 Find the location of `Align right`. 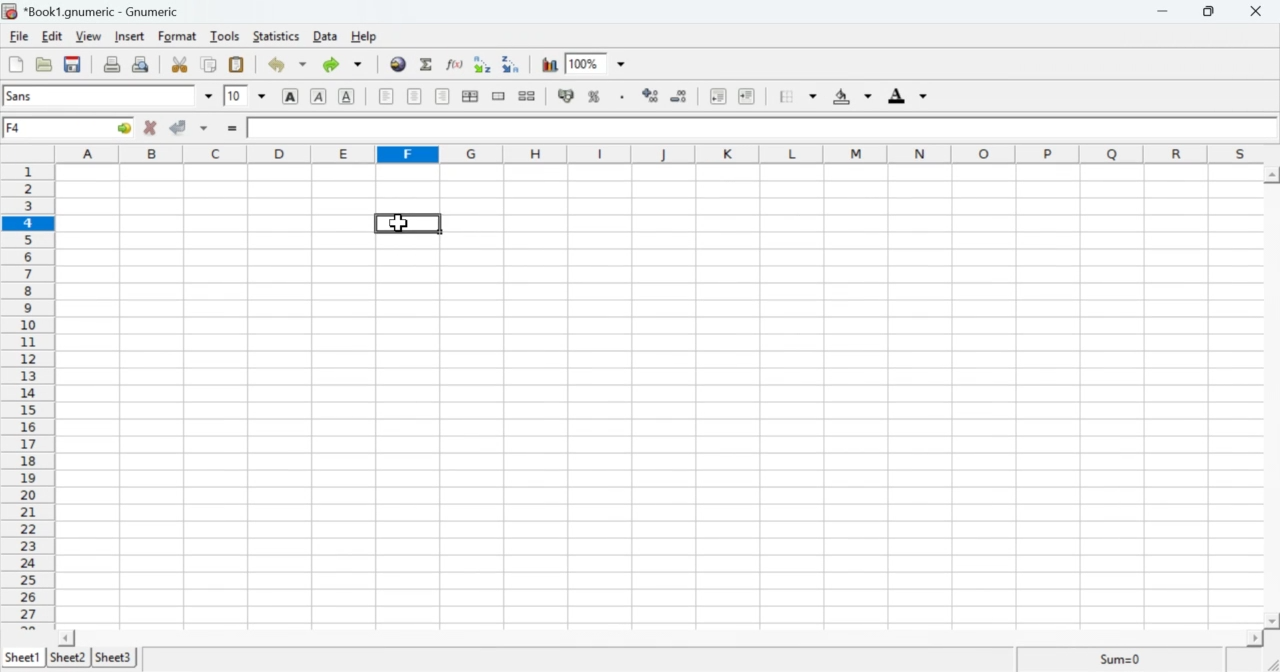

Align right is located at coordinates (442, 99).